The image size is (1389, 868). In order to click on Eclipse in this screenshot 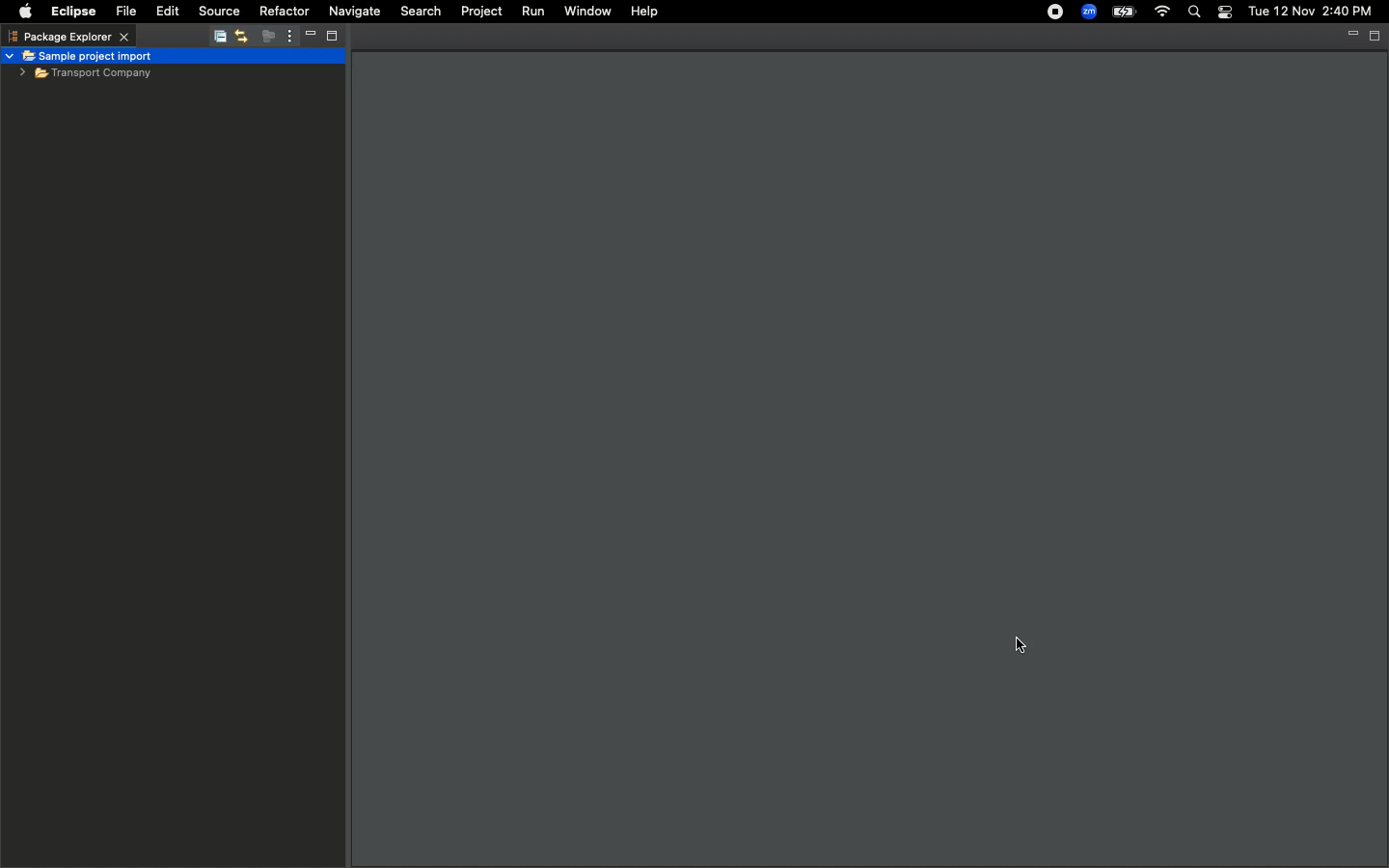, I will do `click(76, 12)`.